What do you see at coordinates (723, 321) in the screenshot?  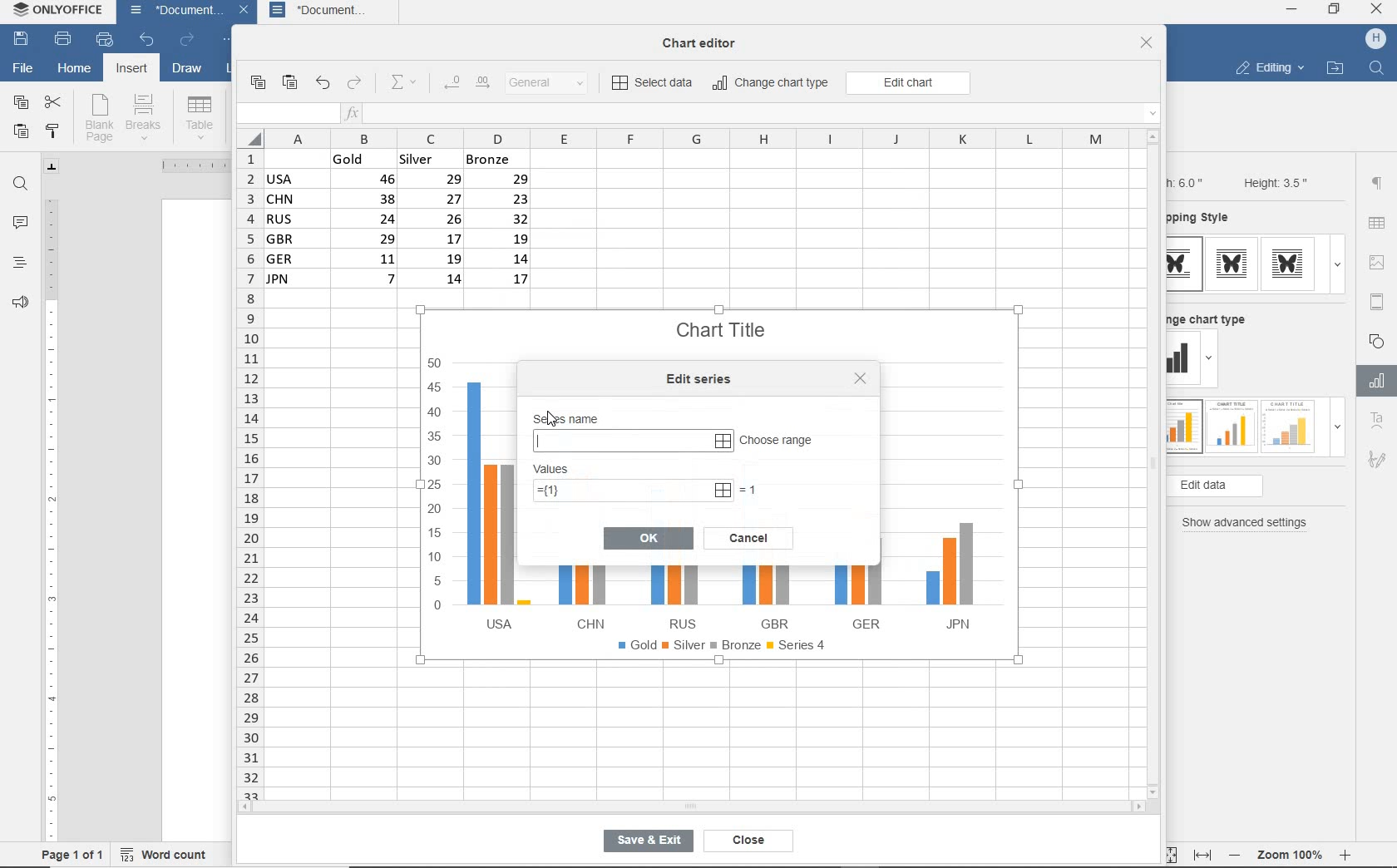 I see `Chart Title` at bounding box center [723, 321].